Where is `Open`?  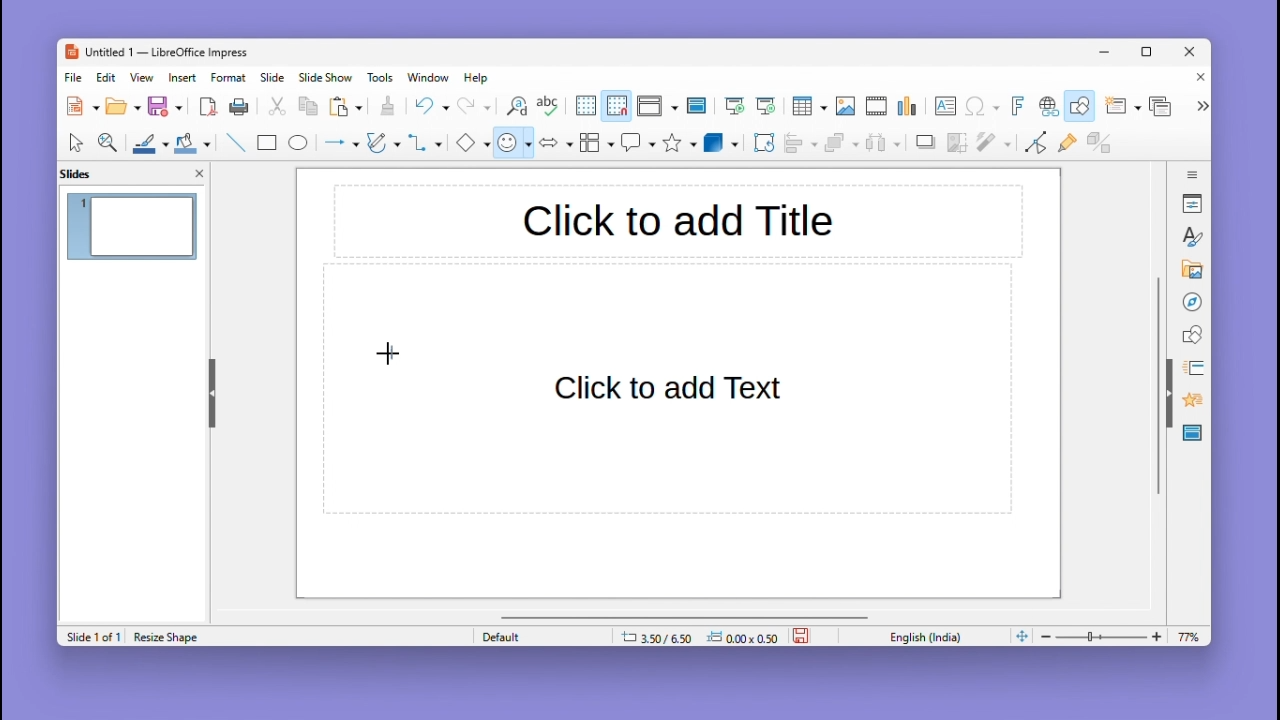 Open is located at coordinates (123, 107).